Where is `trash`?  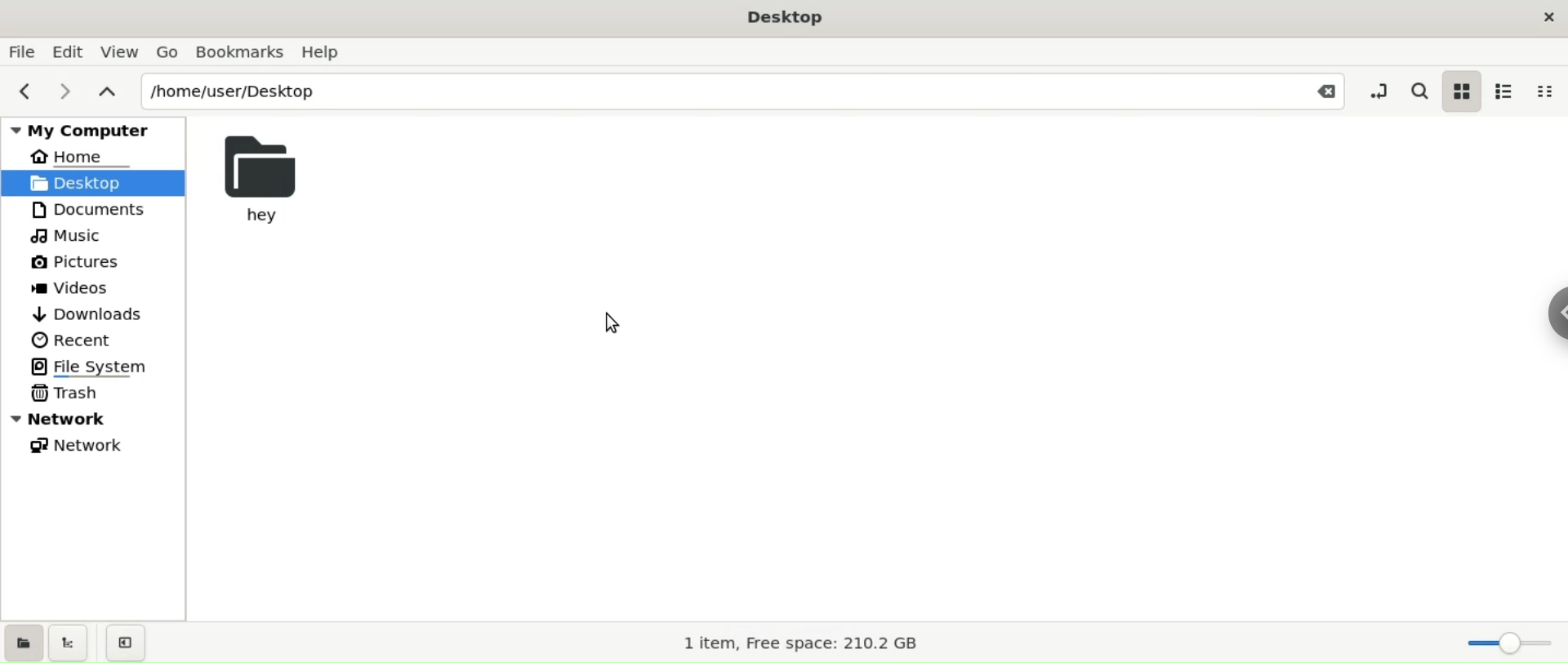 trash is located at coordinates (74, 395).